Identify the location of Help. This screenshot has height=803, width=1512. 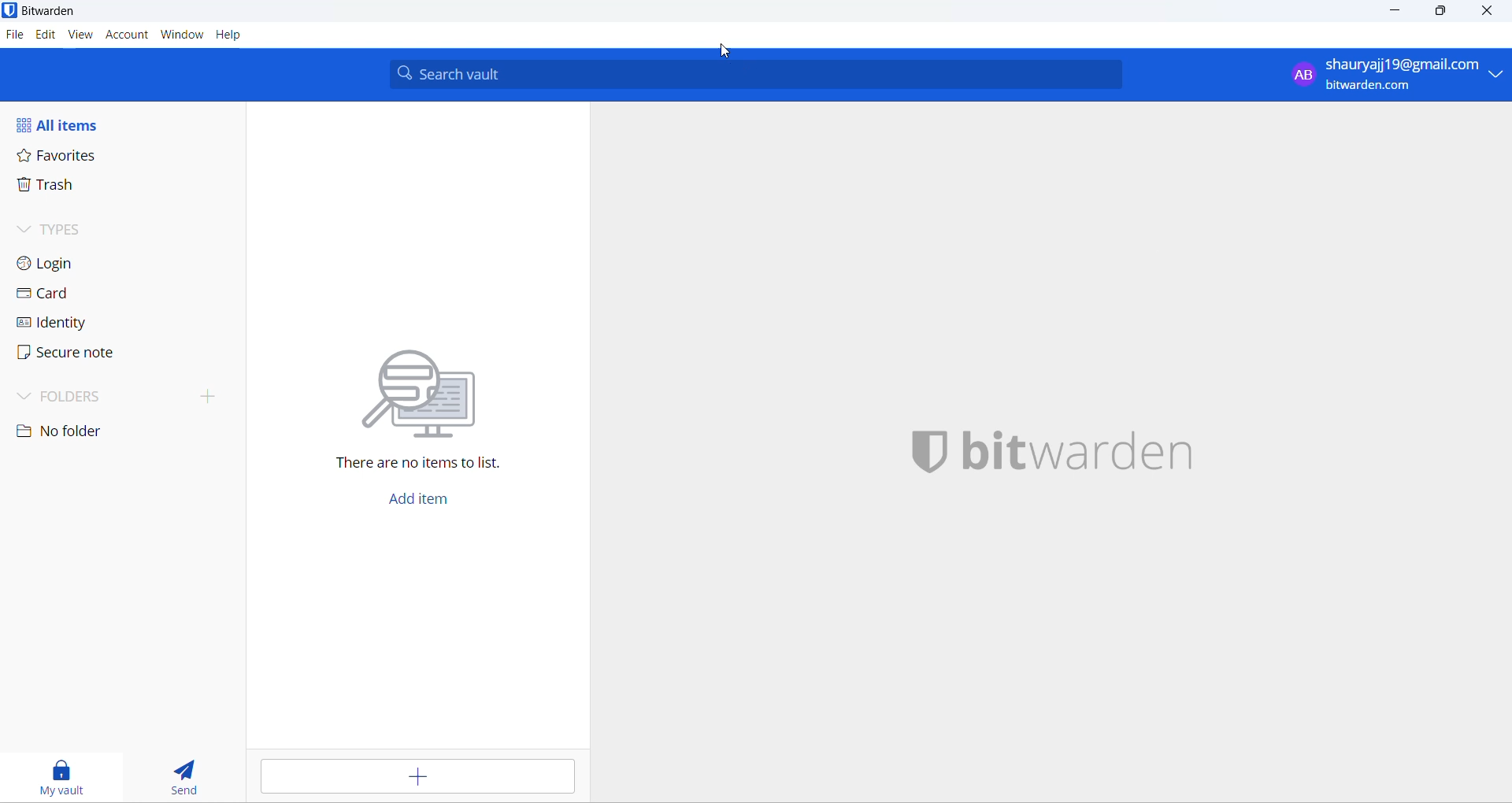
(228, 35).